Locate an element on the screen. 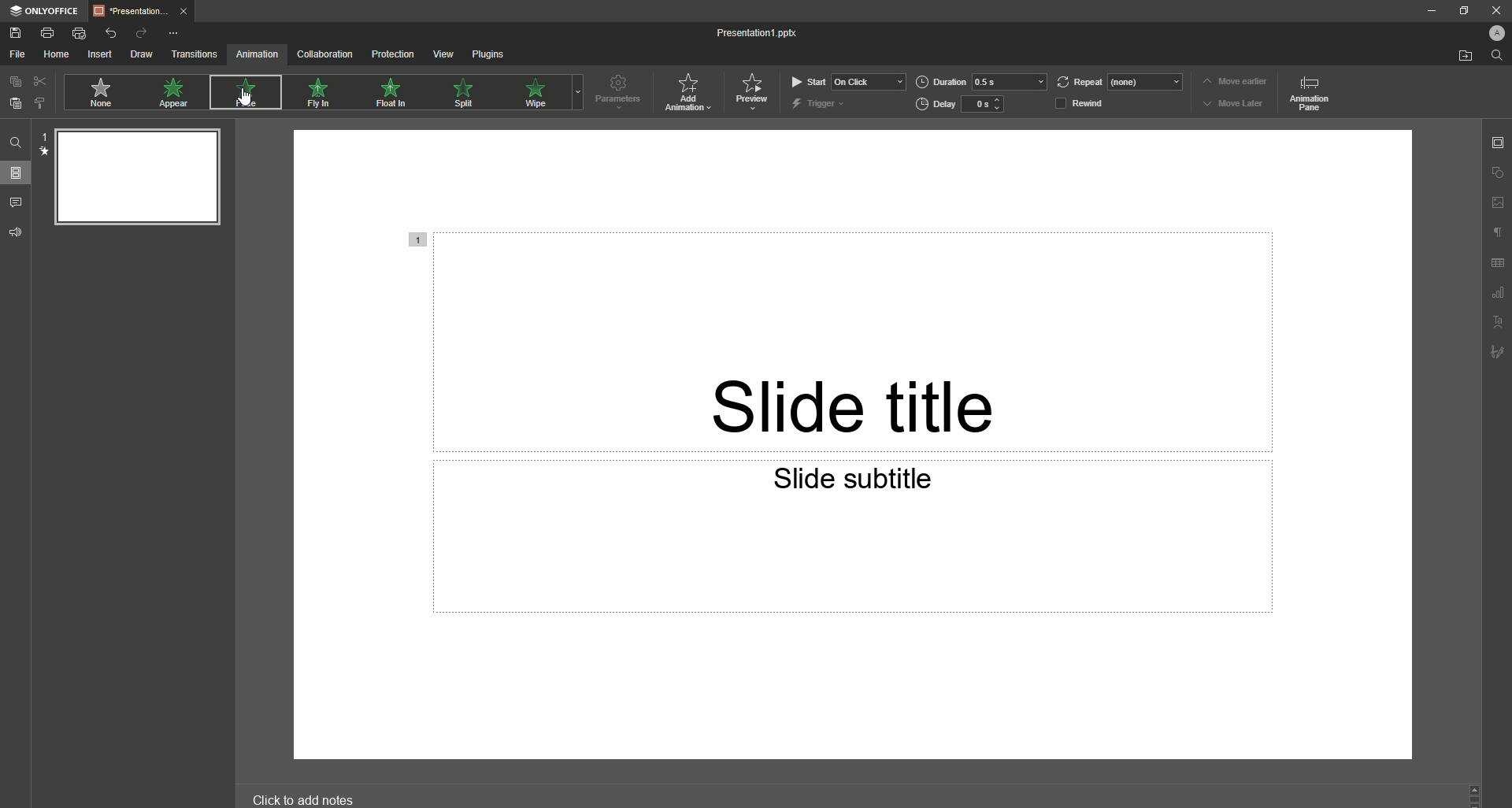 Image resolution: width=1512 pixels, height=808 pixels. Transitions is located at coordinates (191, 55).